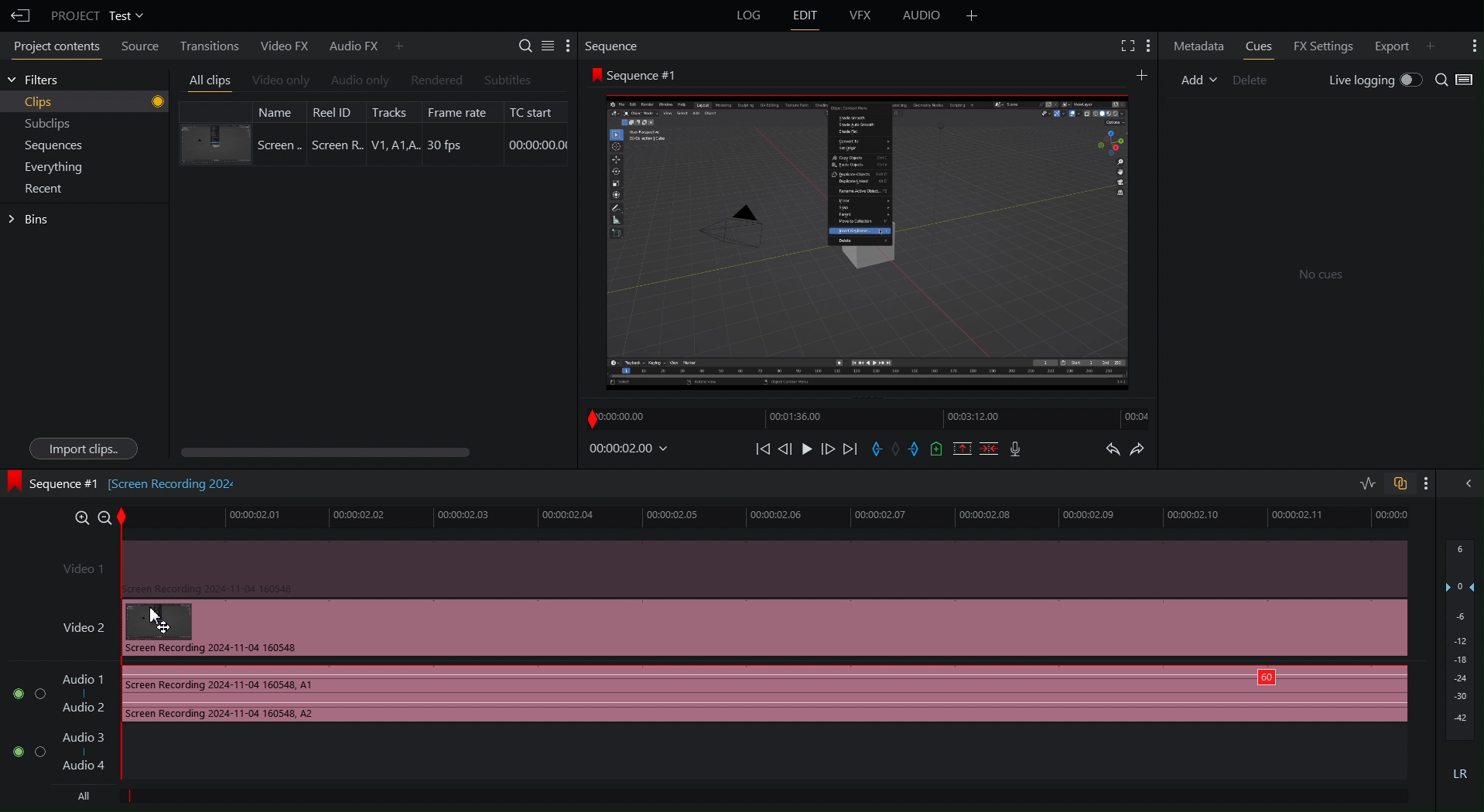 The image size is (1484, 812). I want to click on Scroll bar, so click(333, 449).